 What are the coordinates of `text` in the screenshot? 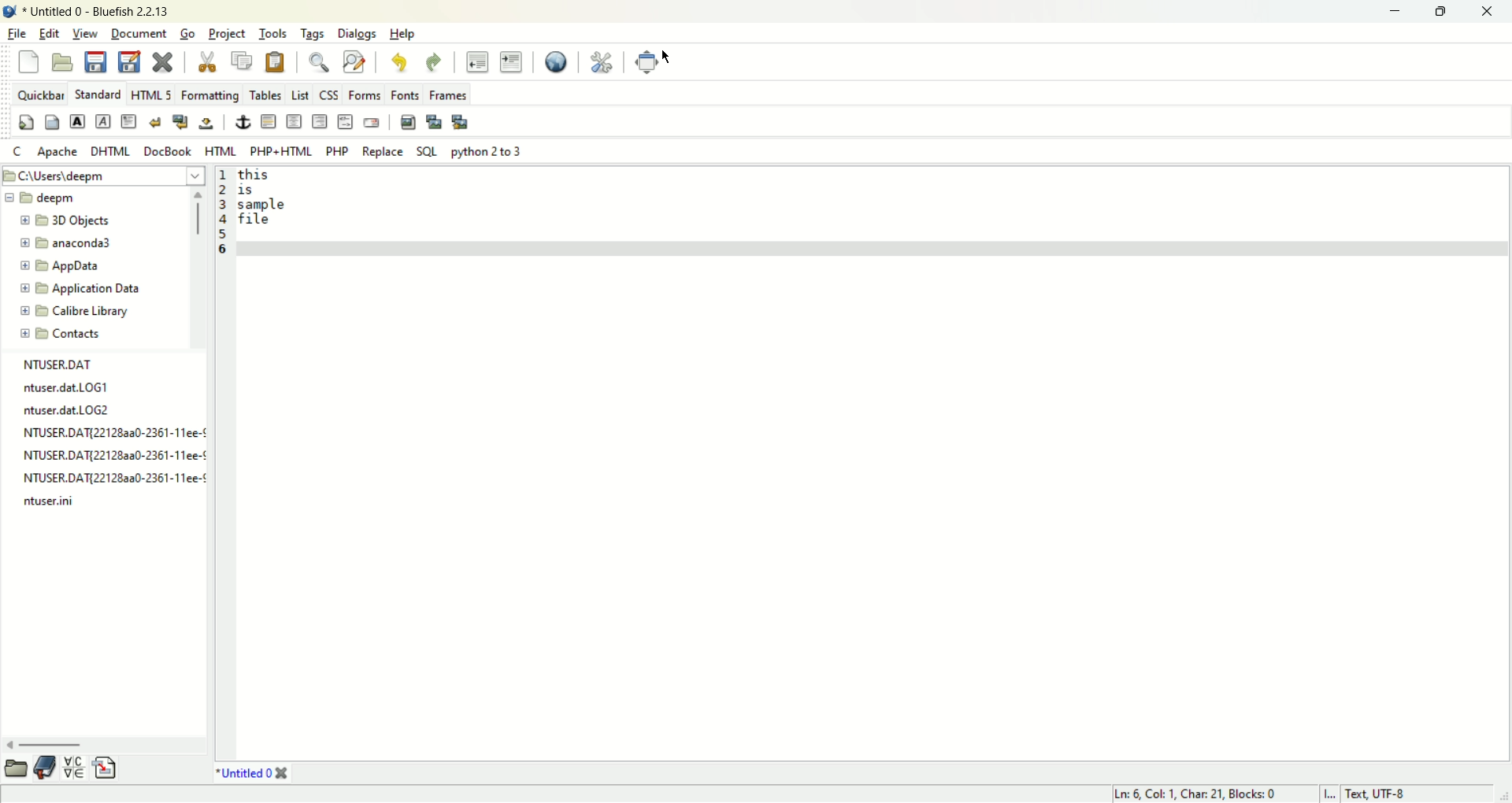 It's located at (276, 201).